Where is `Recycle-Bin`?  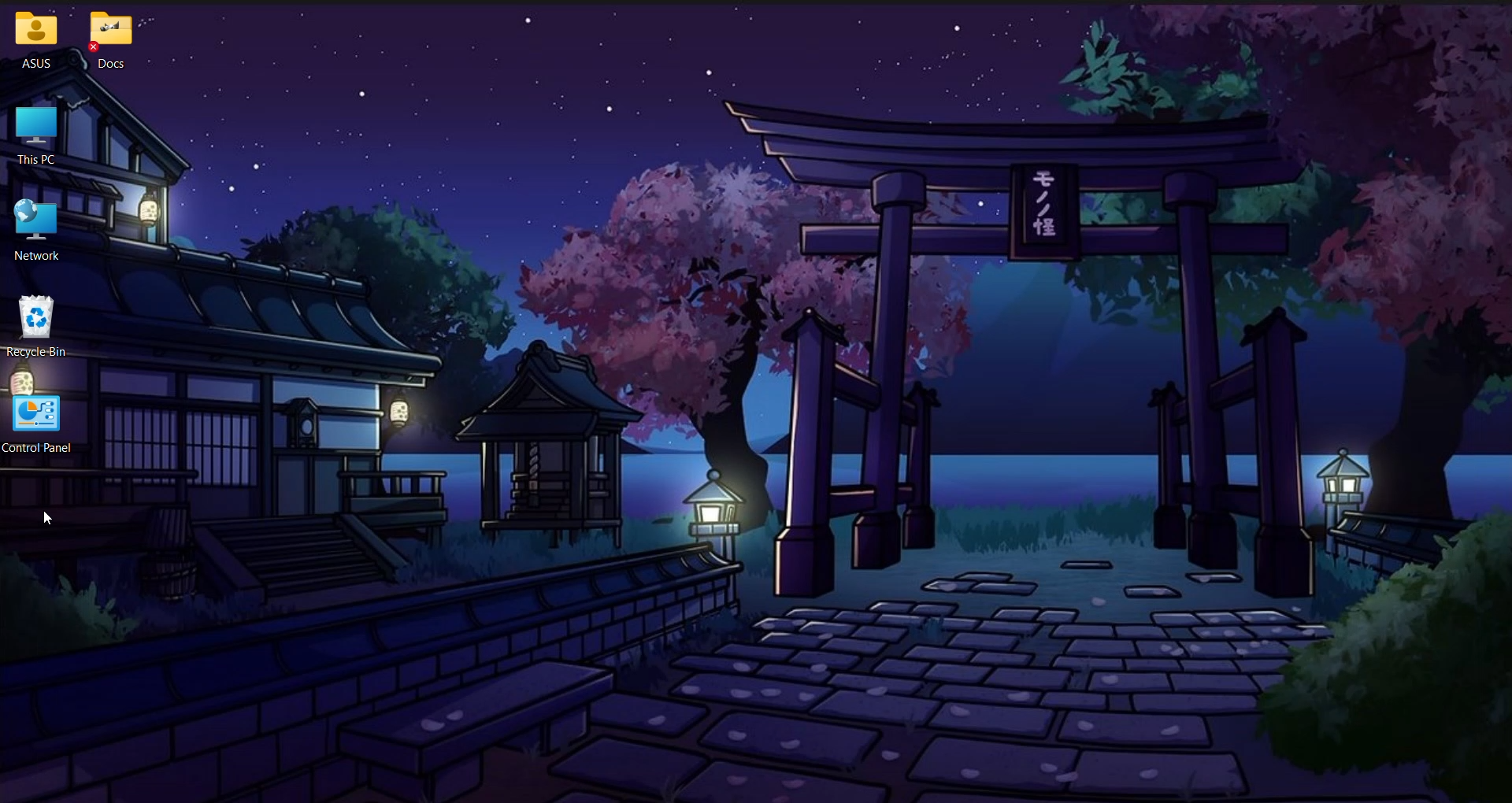 Recycle-Bin is located at coordinates (46, 324).